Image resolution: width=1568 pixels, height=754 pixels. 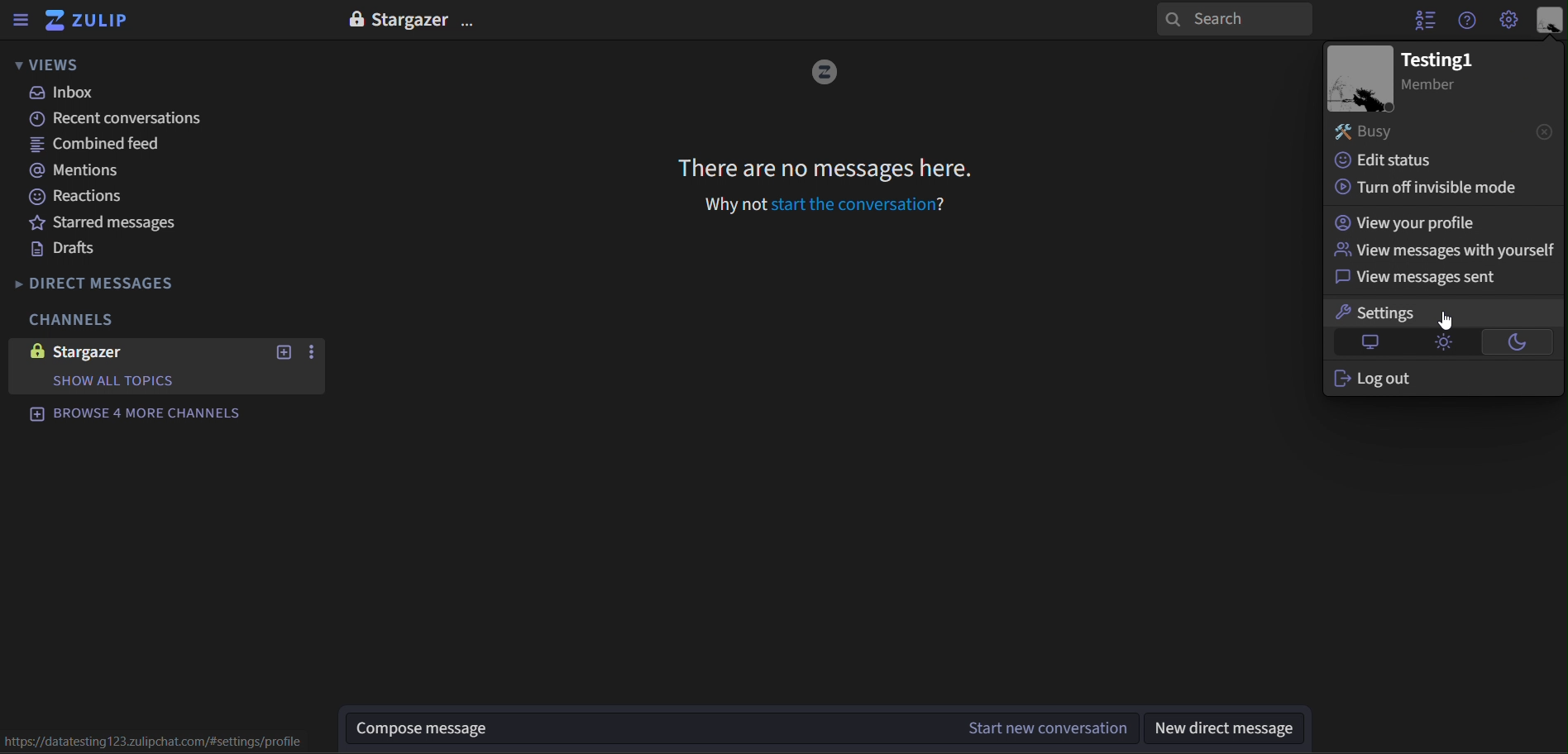 What do you see at coordinates (1044, 728) in the screenshot?
I see `start new conversation` at bounding box center [1044, 728].